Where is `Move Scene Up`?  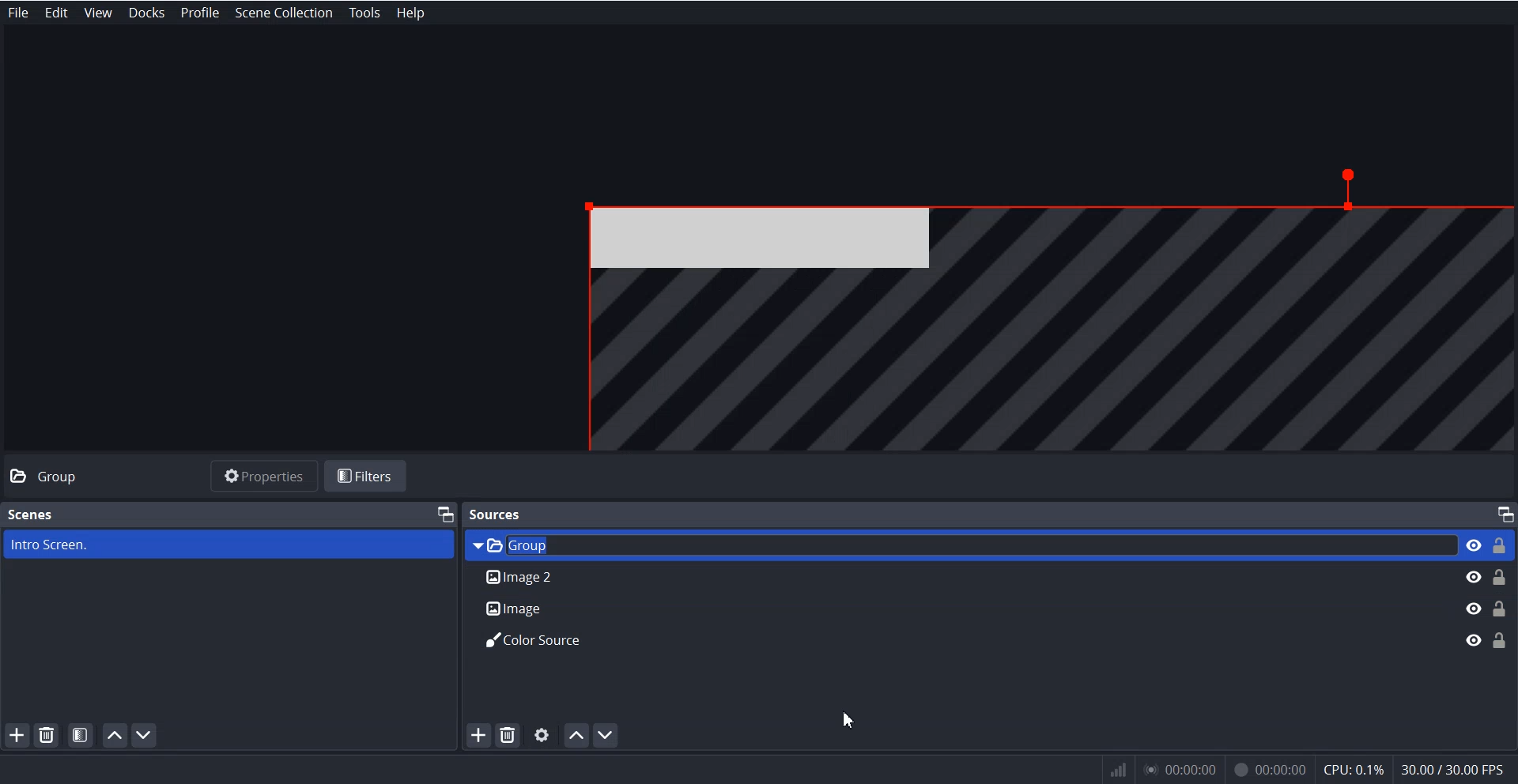
Move Scene Up is located at coordinates (115, 735).